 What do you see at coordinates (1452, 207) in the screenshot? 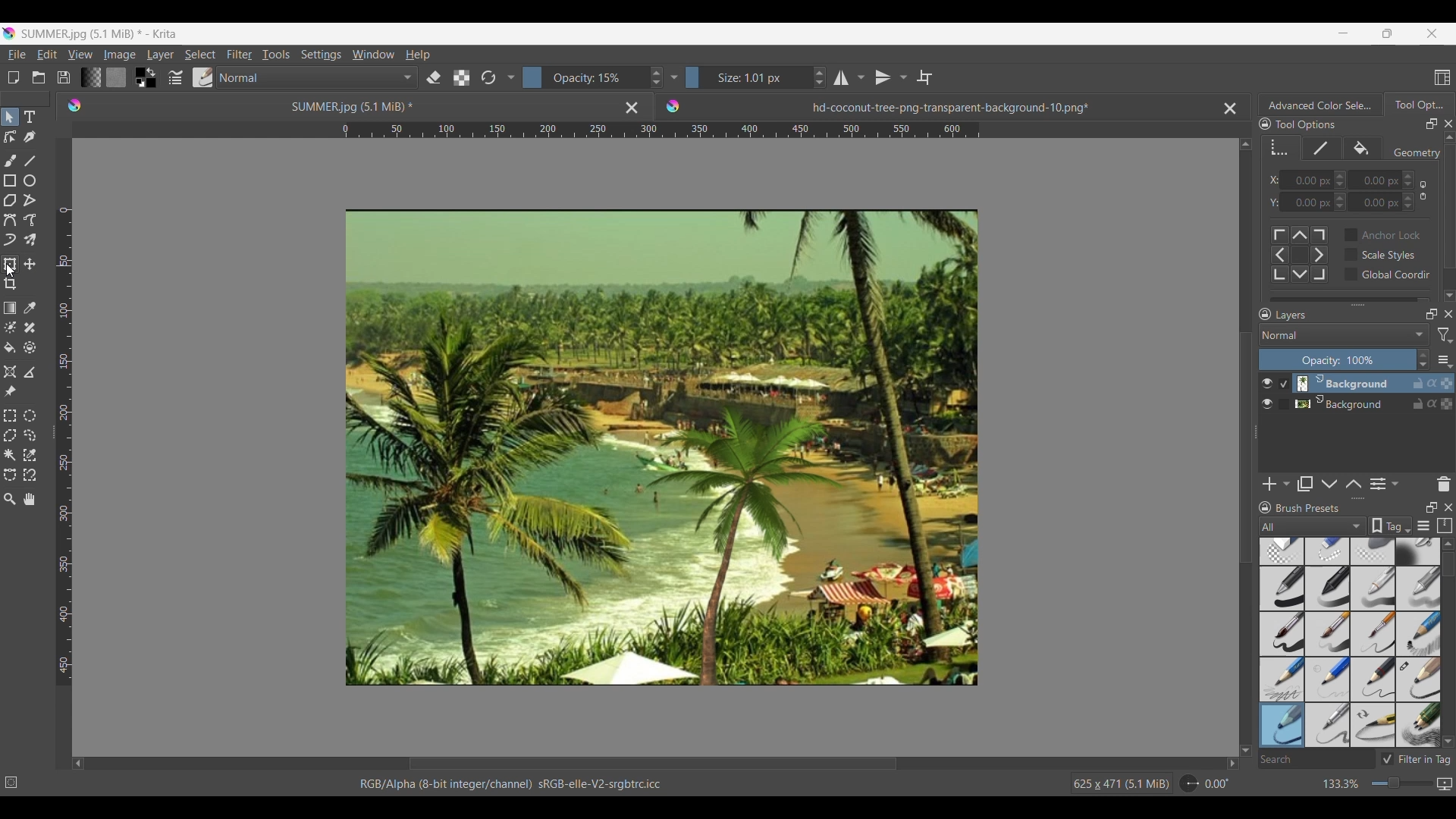
I see `Vertical slide bar of Tool Options panel` at bounding box center [1452, 207].